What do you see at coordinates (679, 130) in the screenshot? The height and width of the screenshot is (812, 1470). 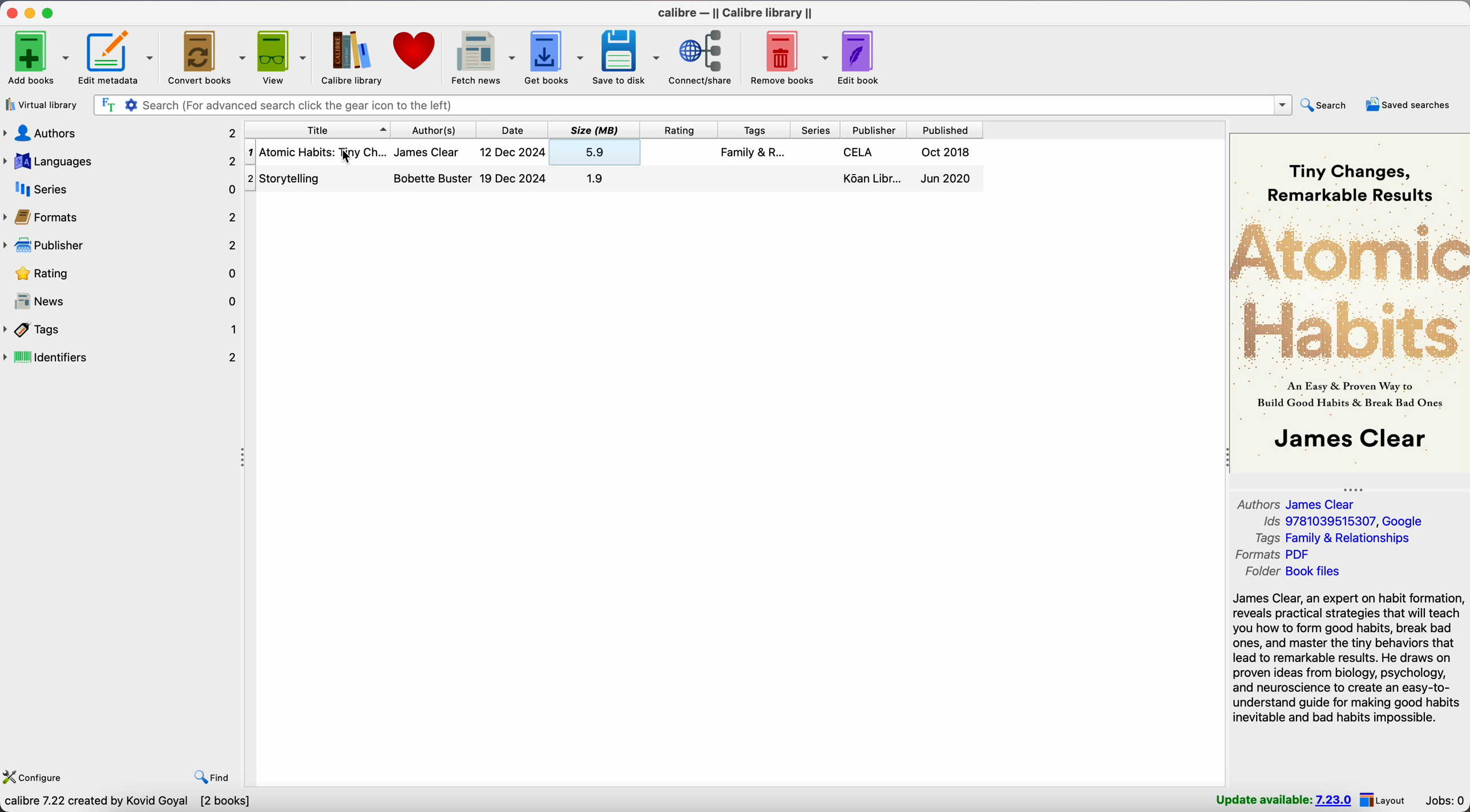 I see `rating` at bounding box center [679, 130].